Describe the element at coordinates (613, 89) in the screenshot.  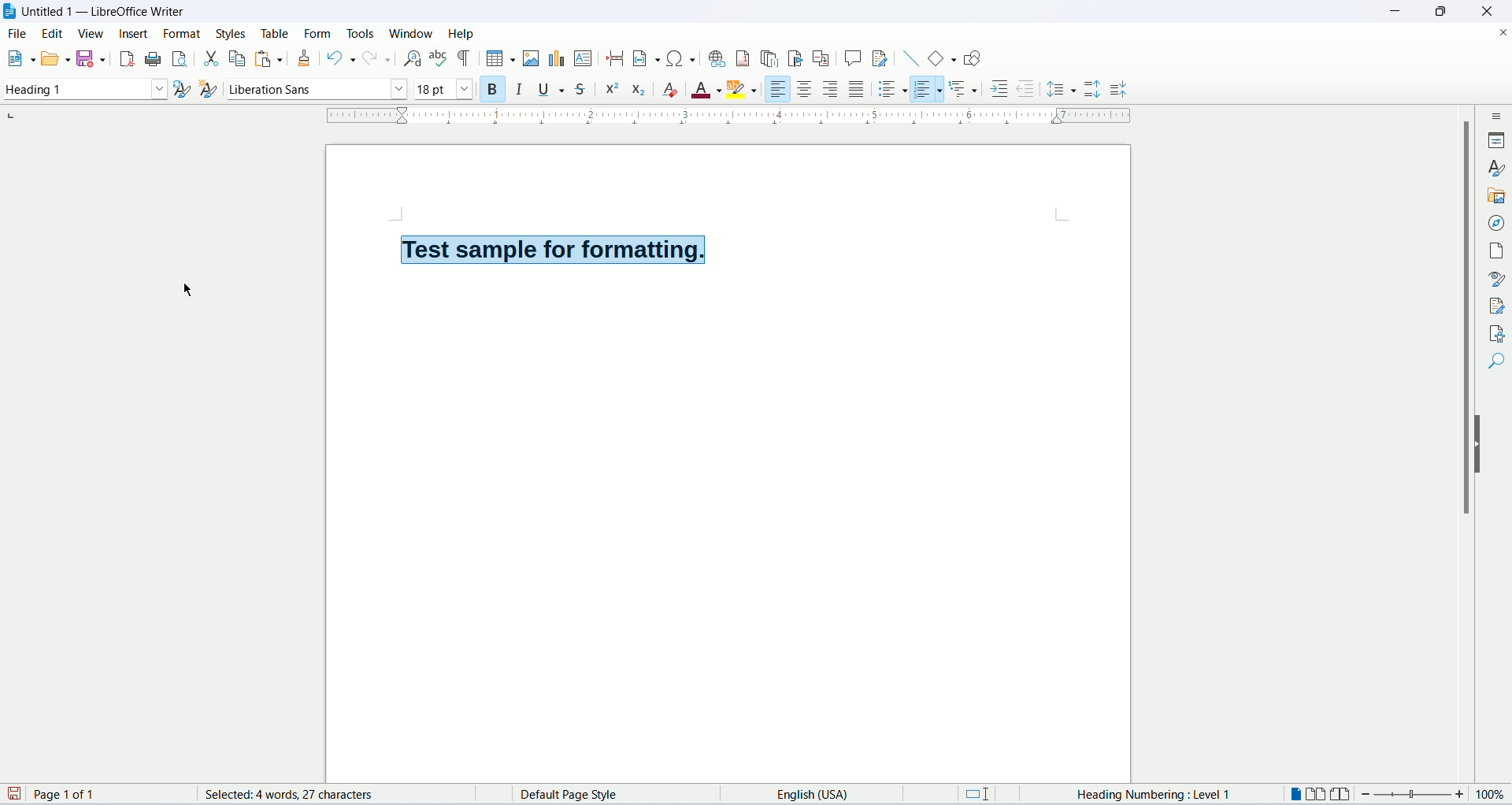
I see `superscript` at that location.